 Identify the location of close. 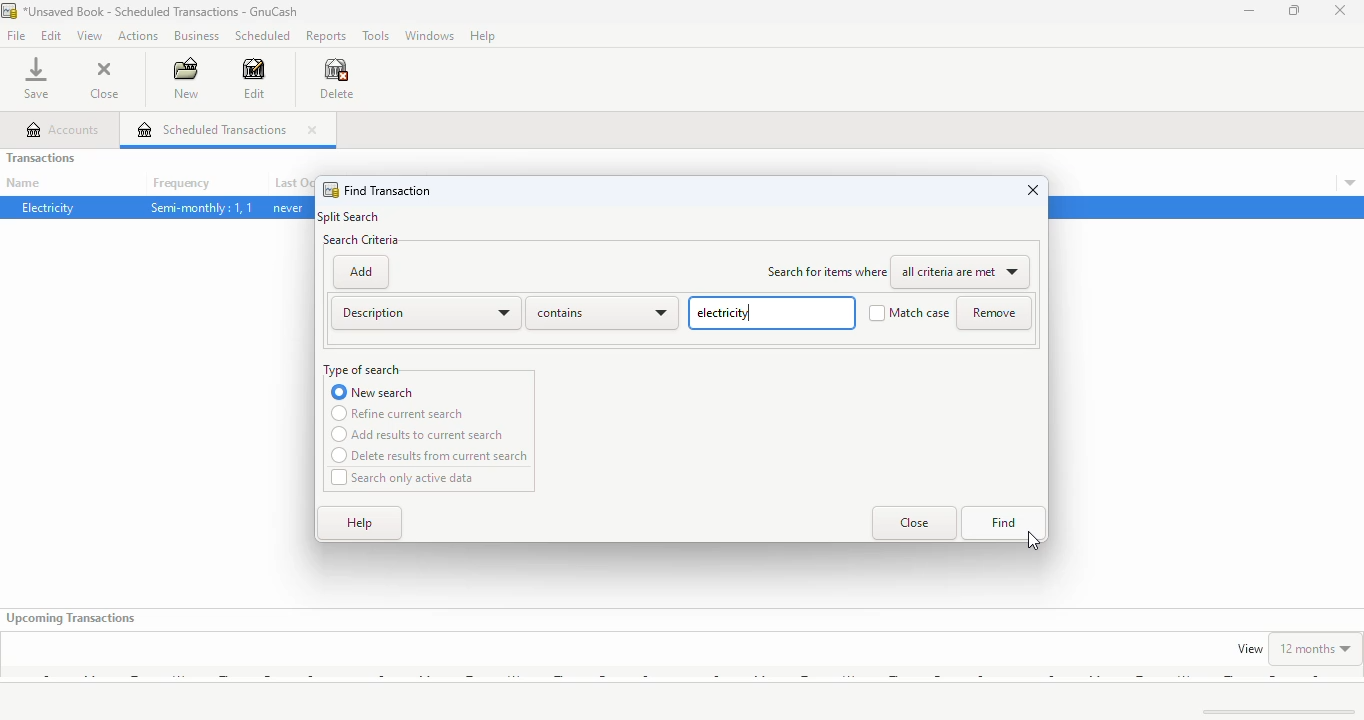
(1341, 10).